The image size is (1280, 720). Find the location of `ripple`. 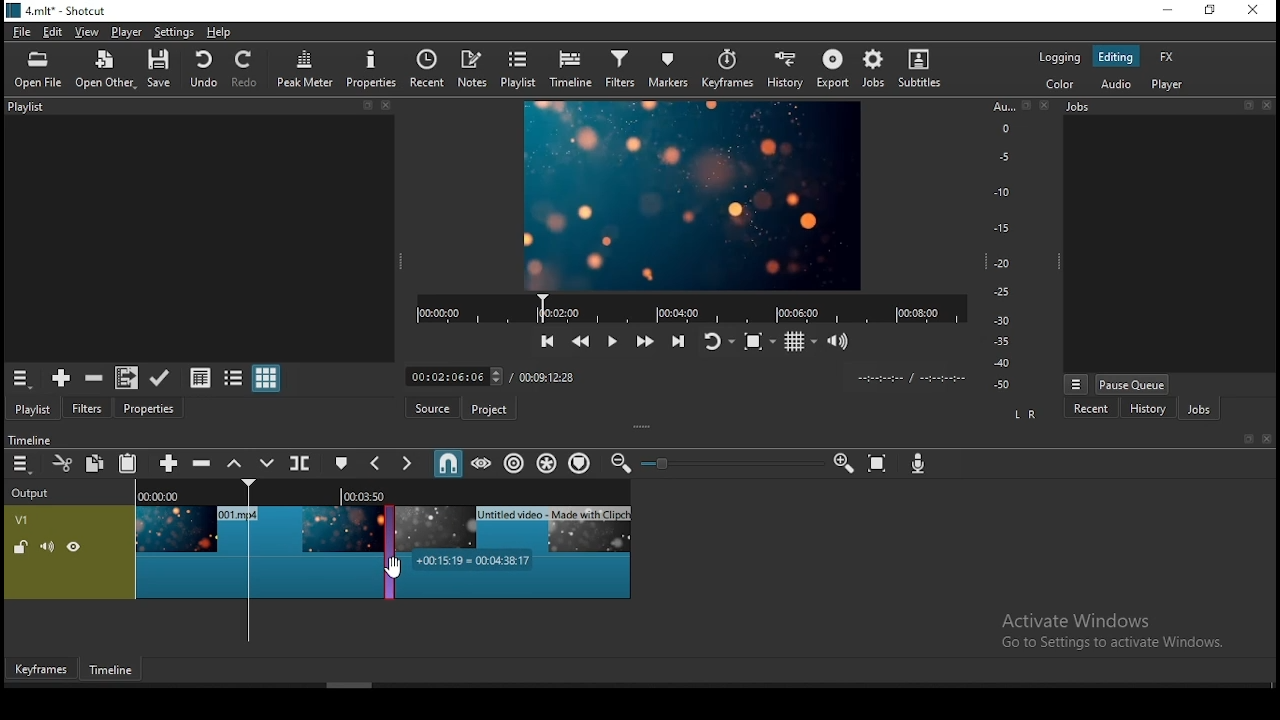

ripple is located at coordinates (515, 462).